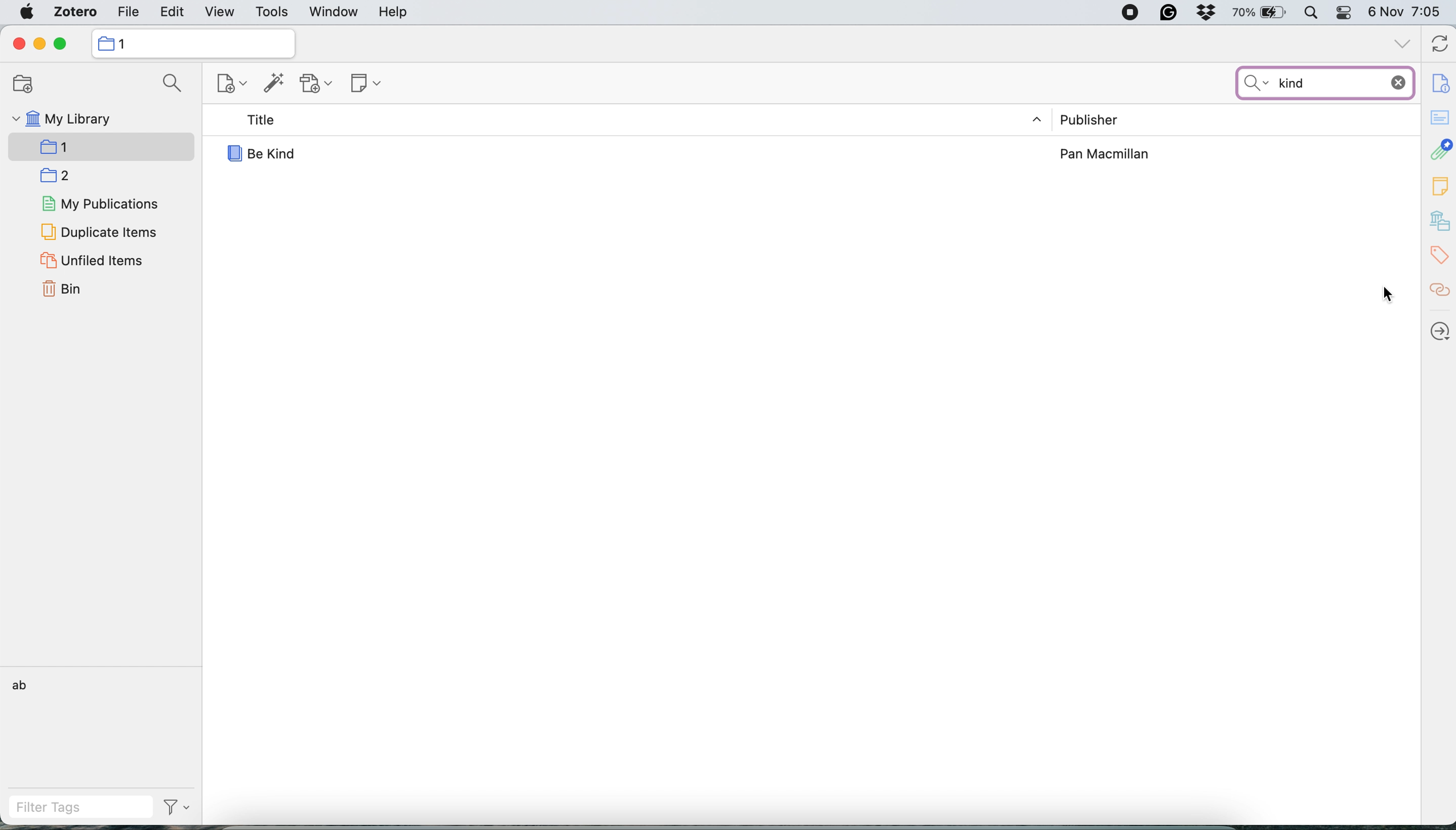 The width and height of the screenshot is (1456, 830). Describe the element at coordinates (401, 13) in the screenshot. I see `help` at that location.